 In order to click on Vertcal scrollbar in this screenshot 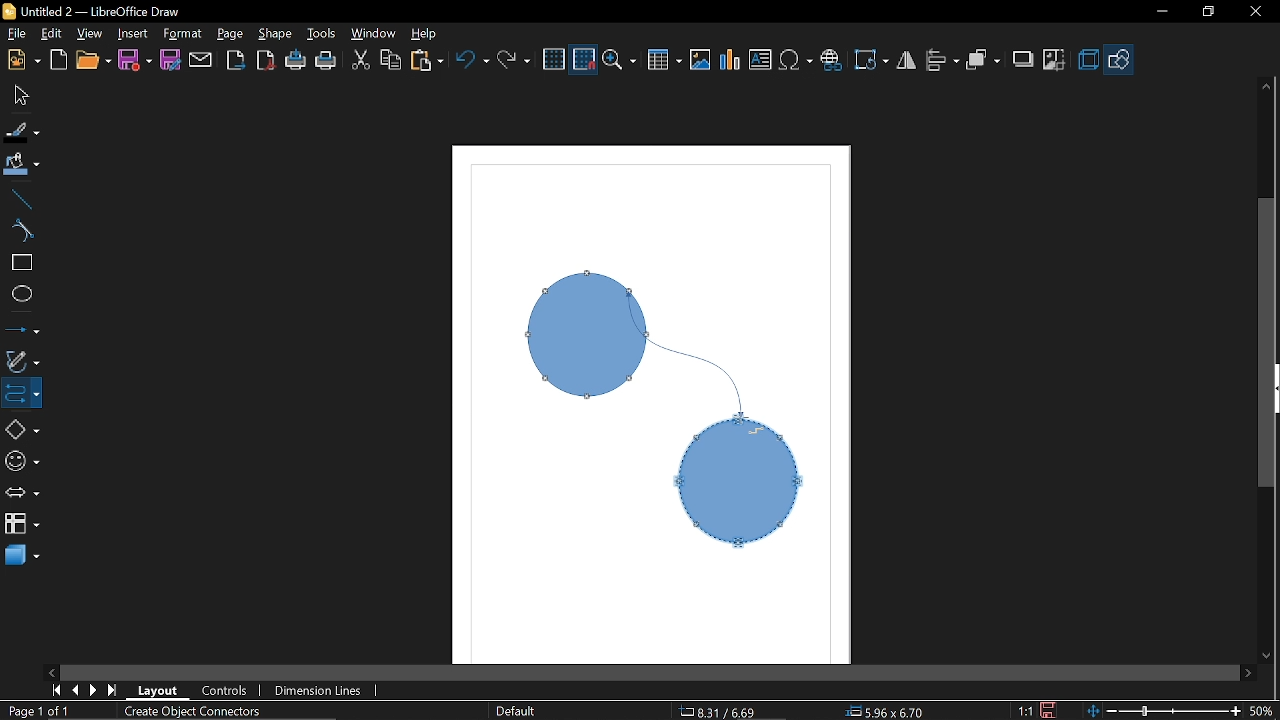, I will do `click(1268, 346)`.